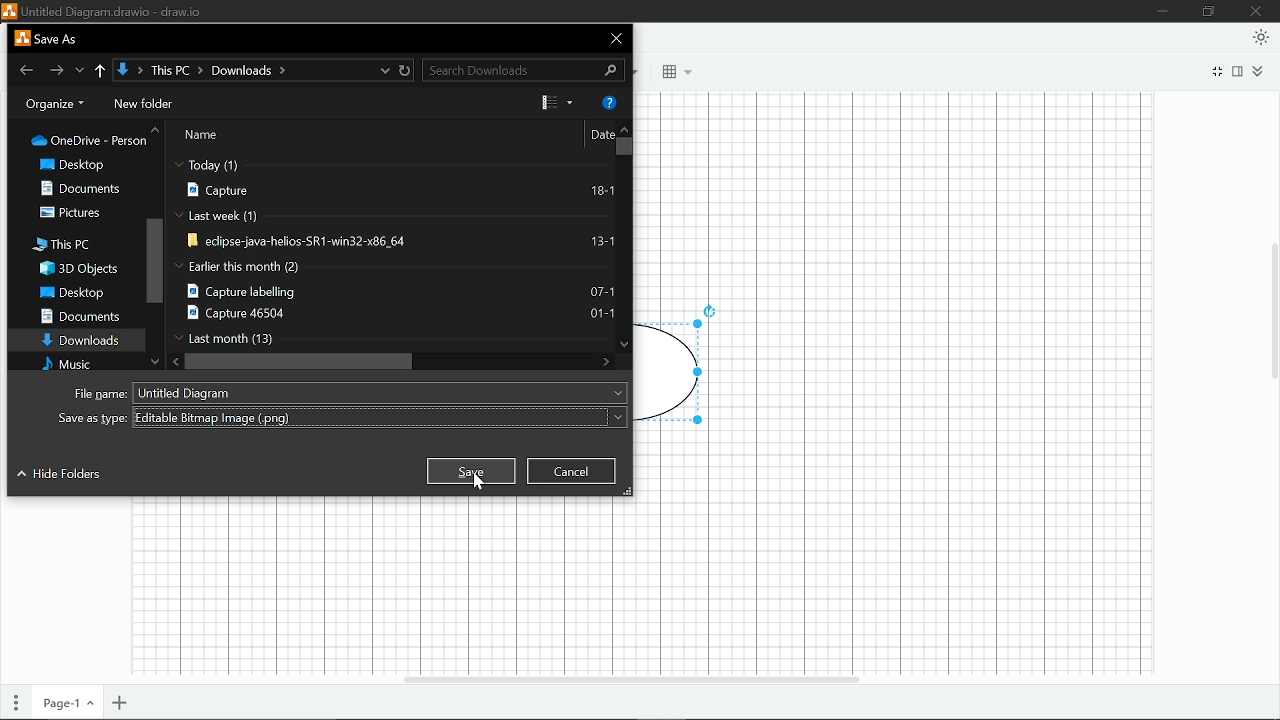 The height and width of the screenshot is (720, 1280). I want to click on Move down in folders, so click(156, 362).